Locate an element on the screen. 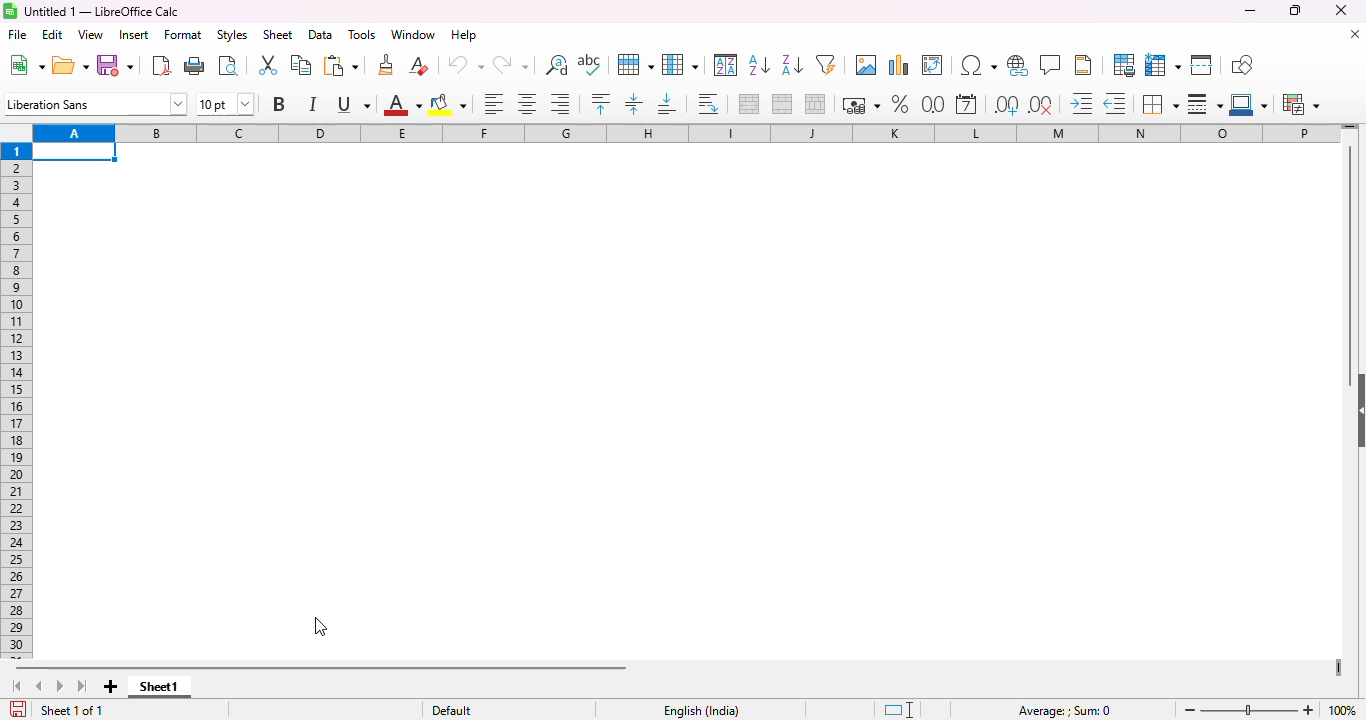 The image size is (1366, 720). sort ascending is located at coordinates (759, 65).